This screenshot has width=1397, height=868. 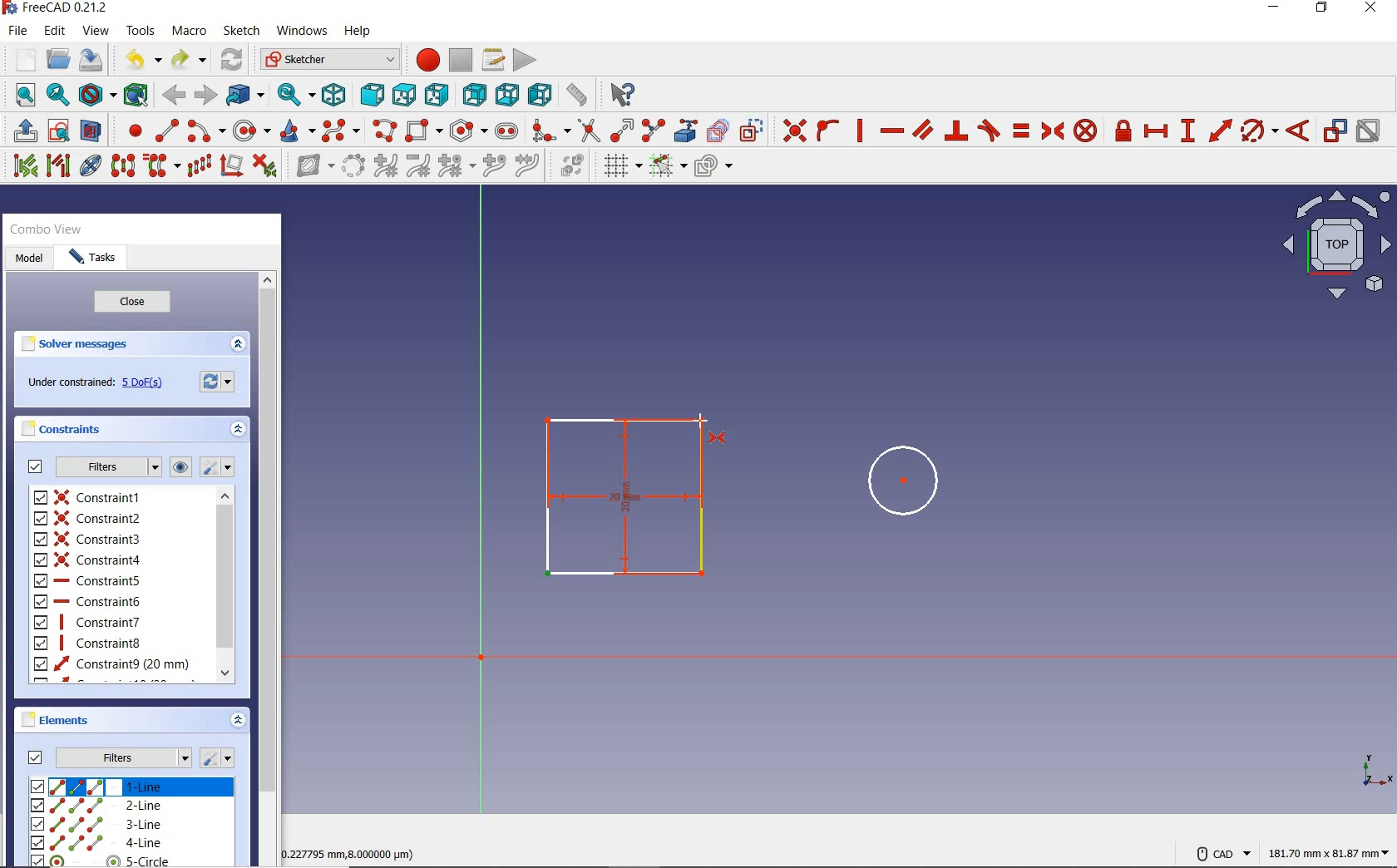 What do you see at coordinates (96, 806) in the screenshot?
I see `2-LINE` at bounding box center [96, 806].